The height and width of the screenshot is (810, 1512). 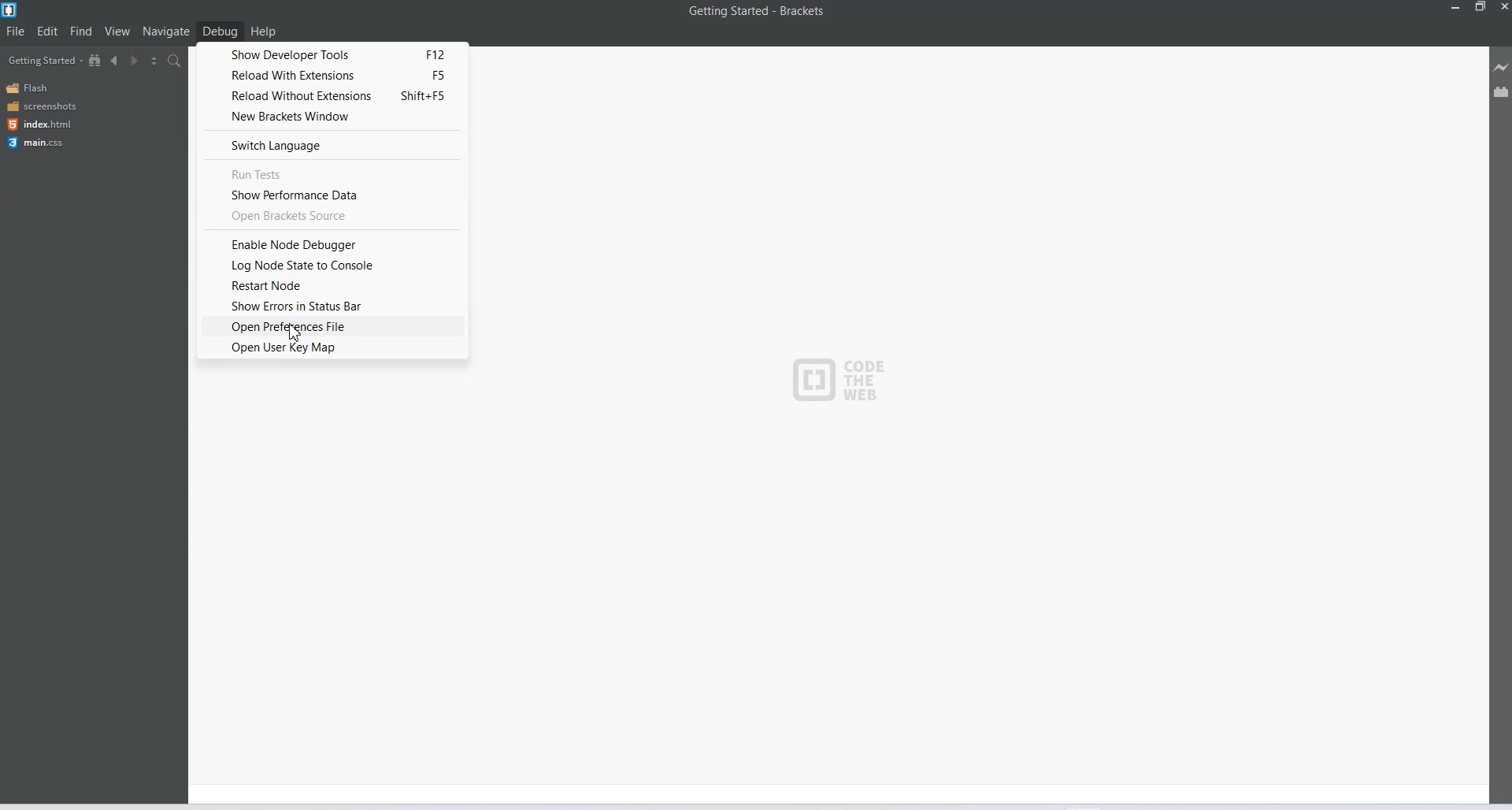 I want to click on index.html, so click(x=39, y=124).